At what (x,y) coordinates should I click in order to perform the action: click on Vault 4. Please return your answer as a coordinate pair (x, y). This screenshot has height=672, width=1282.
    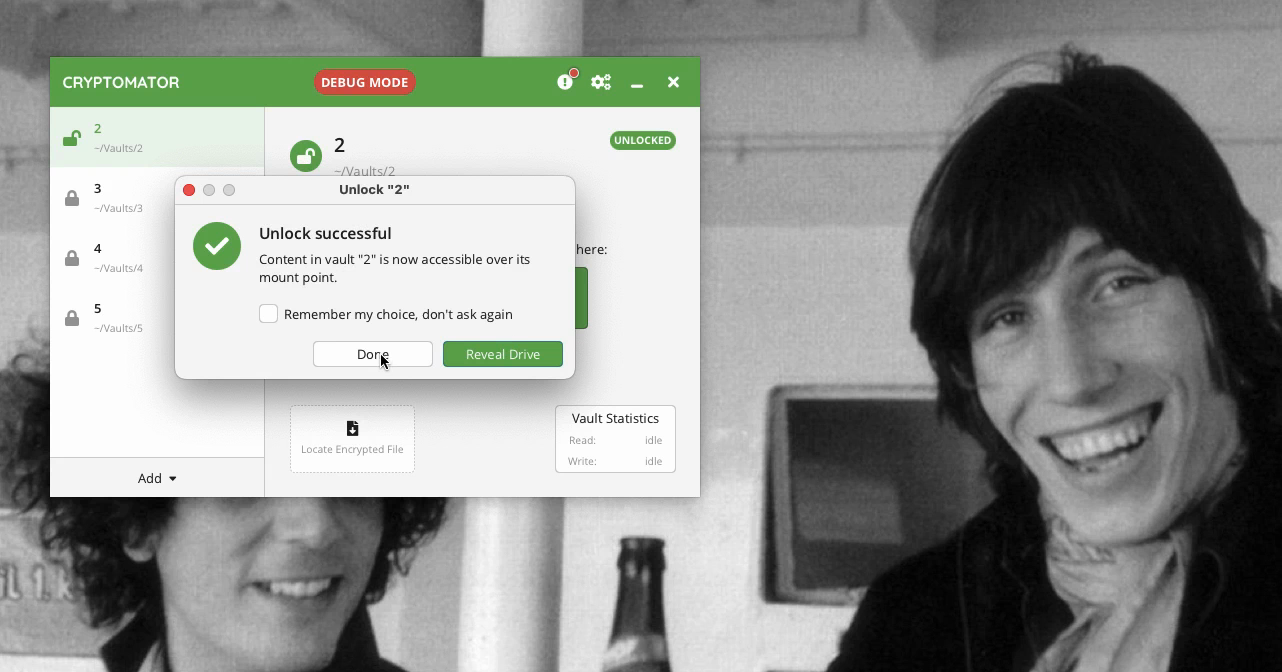
    Looking at the image, I should click on (112, 261).